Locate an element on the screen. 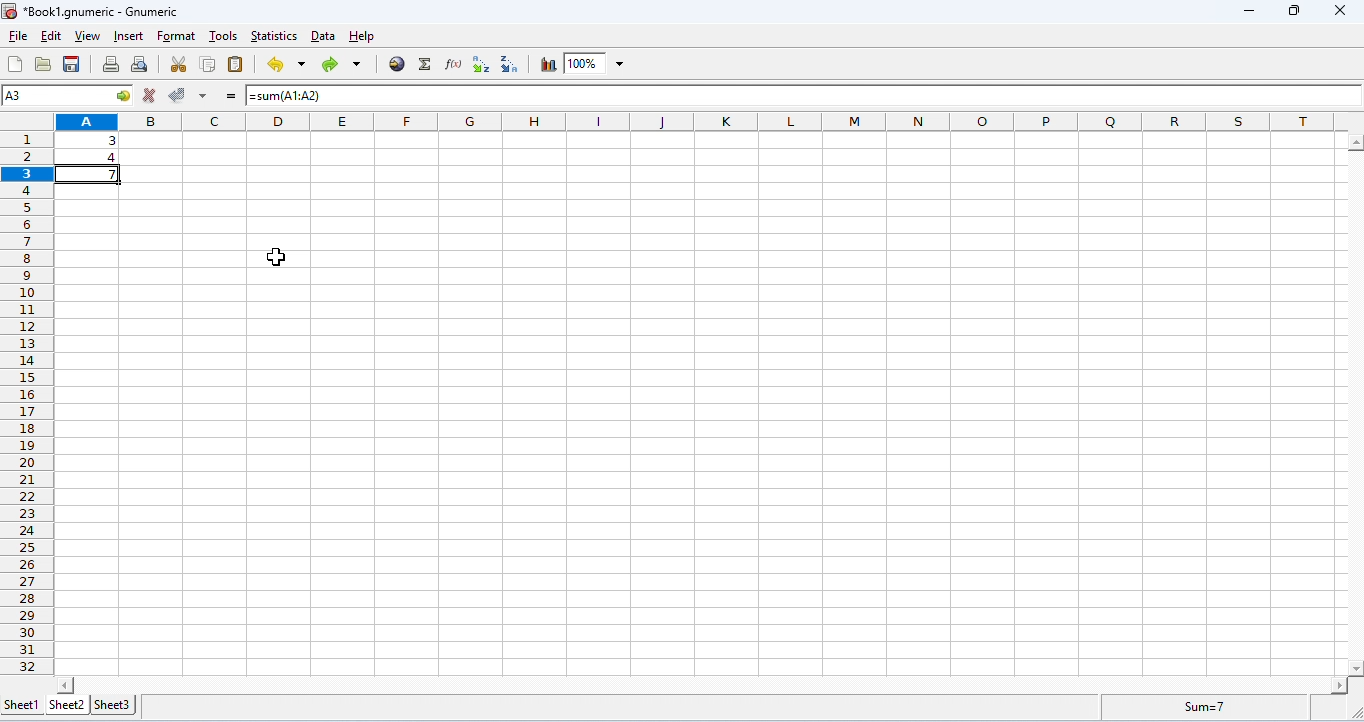 Image resolution: width=1364 pixels, height=722 pixels. space for vertical column is located at coordinates (1352, 404).